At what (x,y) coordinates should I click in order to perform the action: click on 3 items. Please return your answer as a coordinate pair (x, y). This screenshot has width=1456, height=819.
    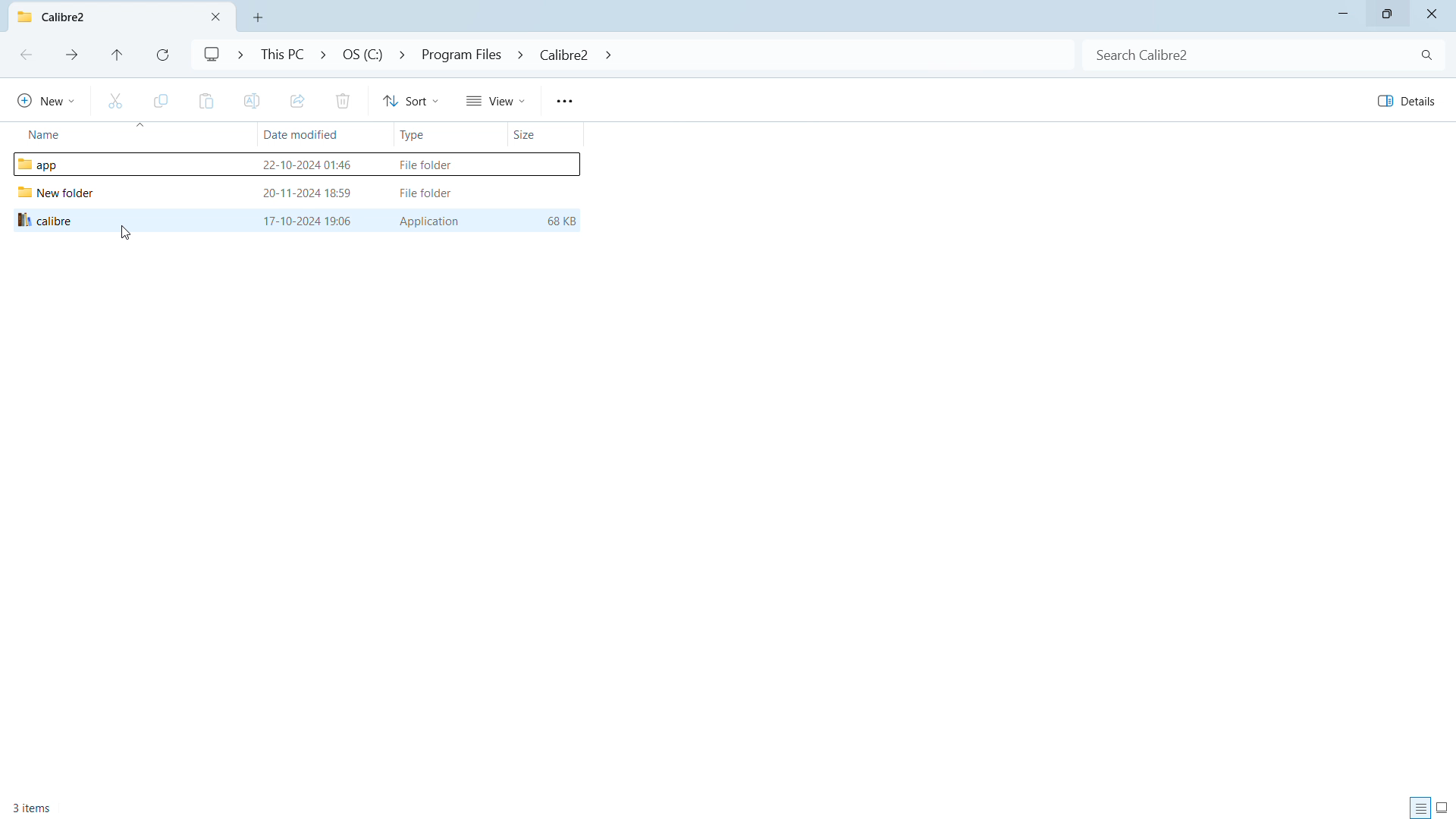
    Looking at the image, I should click on (35, 810).